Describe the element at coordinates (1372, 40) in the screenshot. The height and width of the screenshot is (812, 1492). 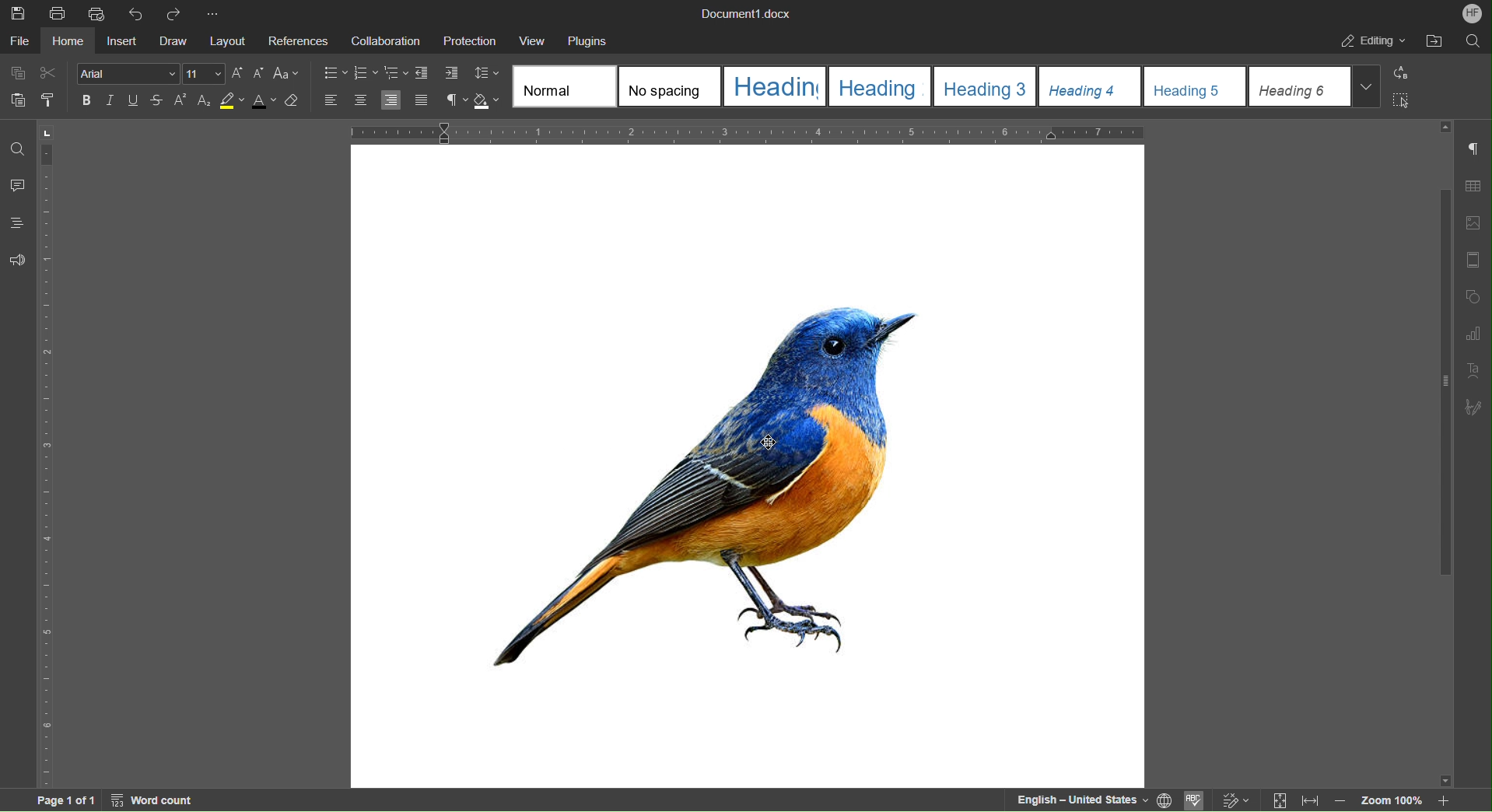
I see `Editing` at that location.